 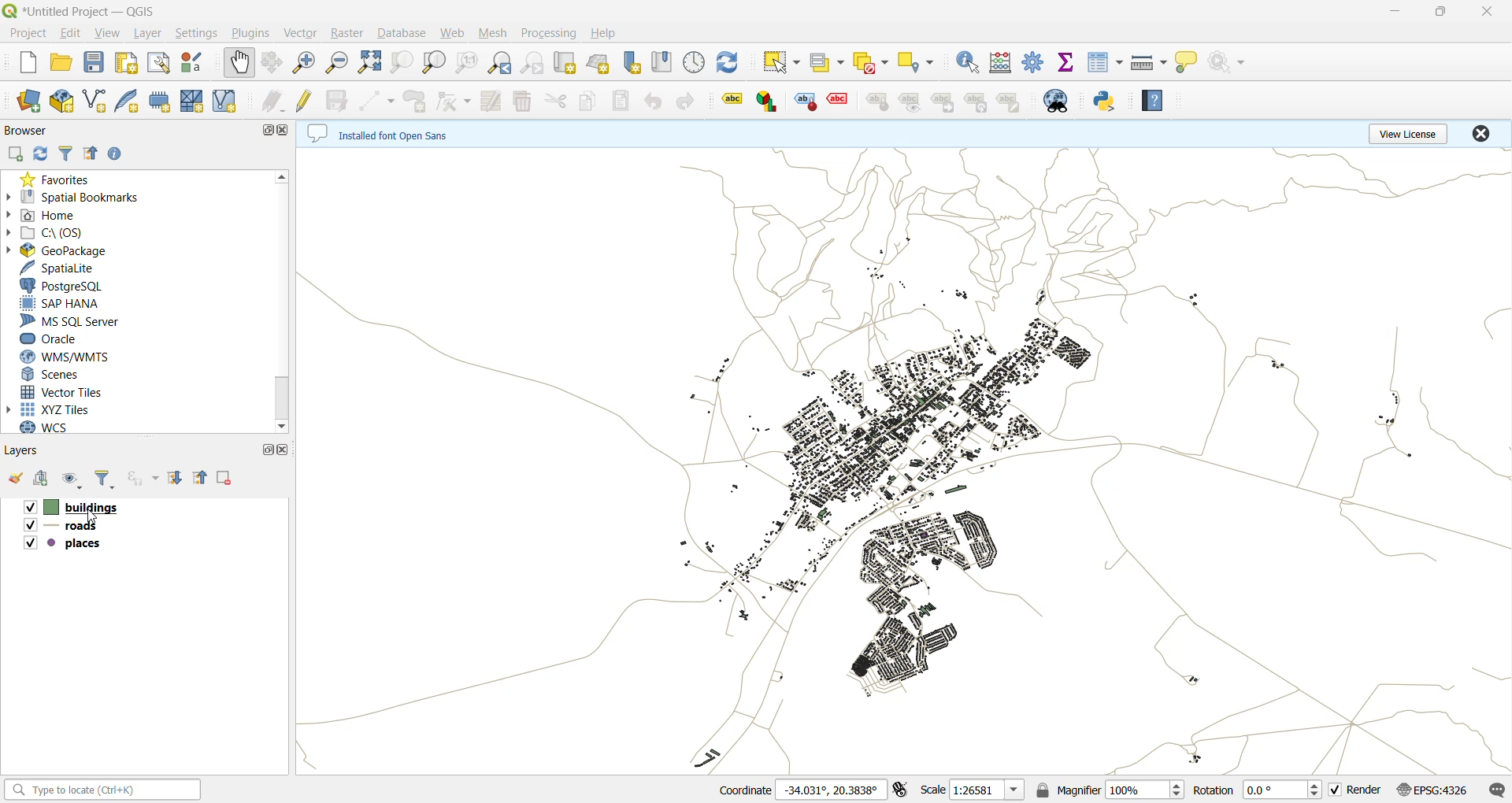 What do you see at coordinates (899, 790) in the screenshot?
I see `toggle extents` at bounding box center [899, 790].